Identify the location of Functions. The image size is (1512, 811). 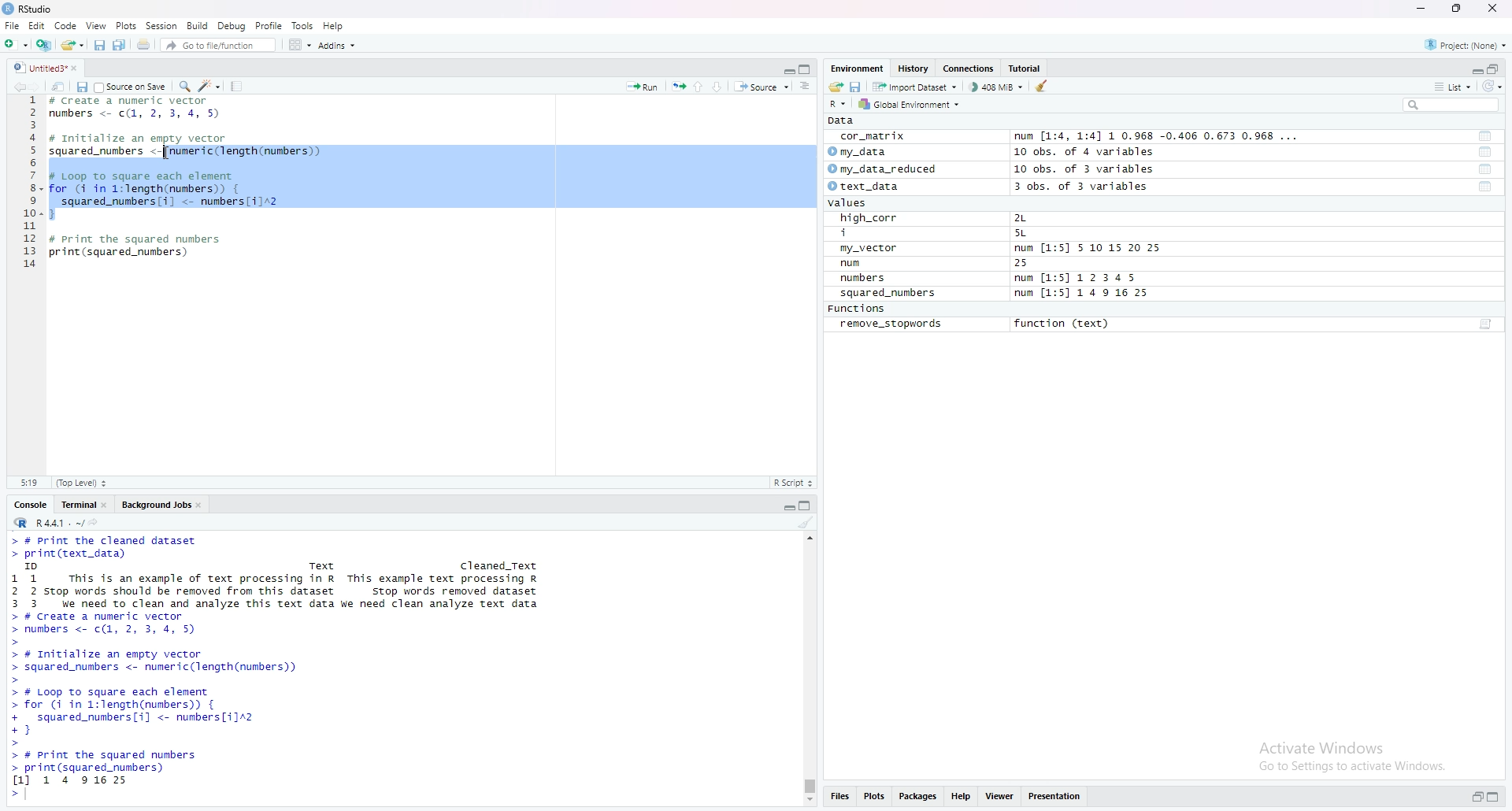
(859, 309).